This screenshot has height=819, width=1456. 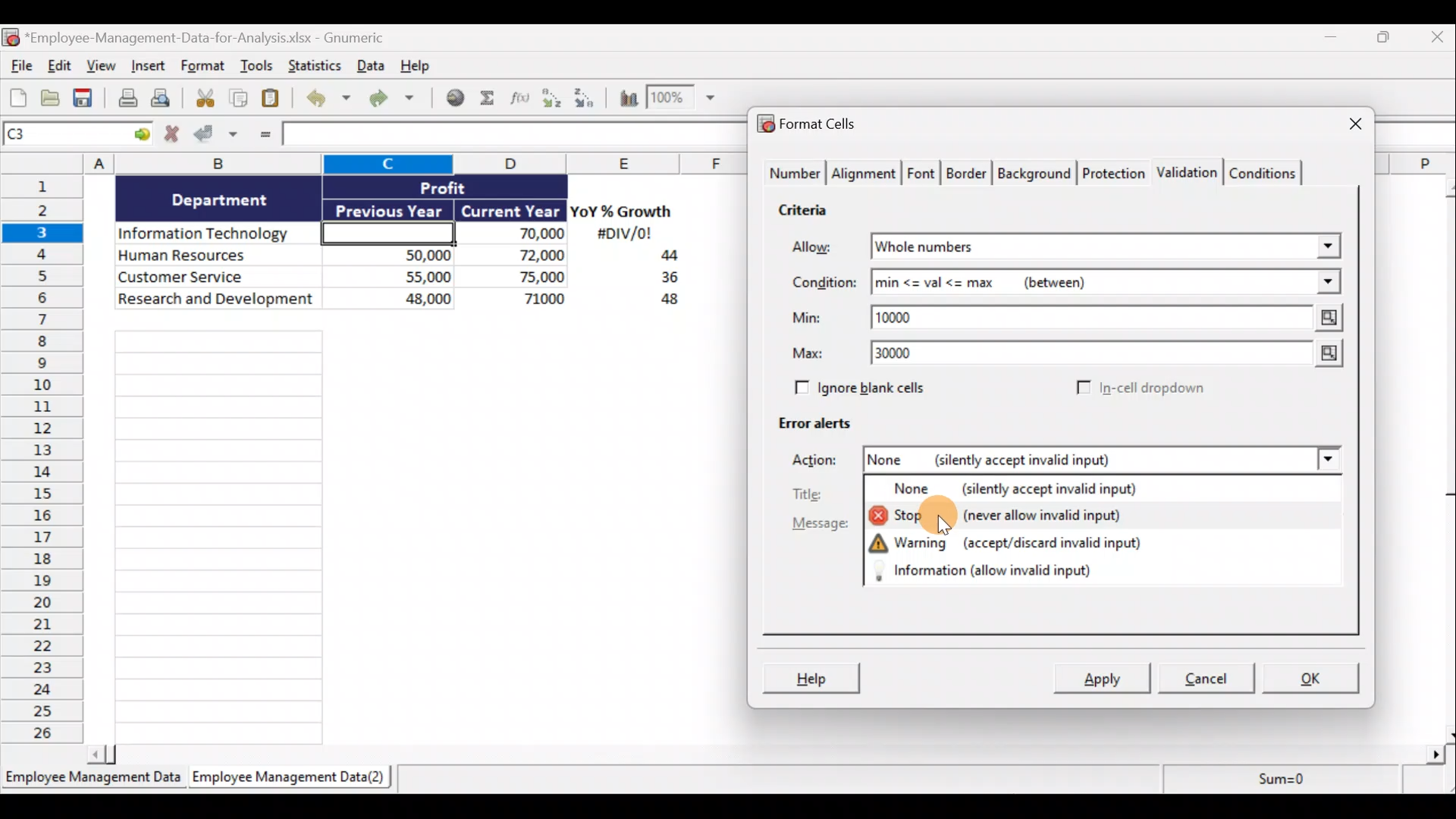 I want to click on Rows, so click(x=47, y=462).